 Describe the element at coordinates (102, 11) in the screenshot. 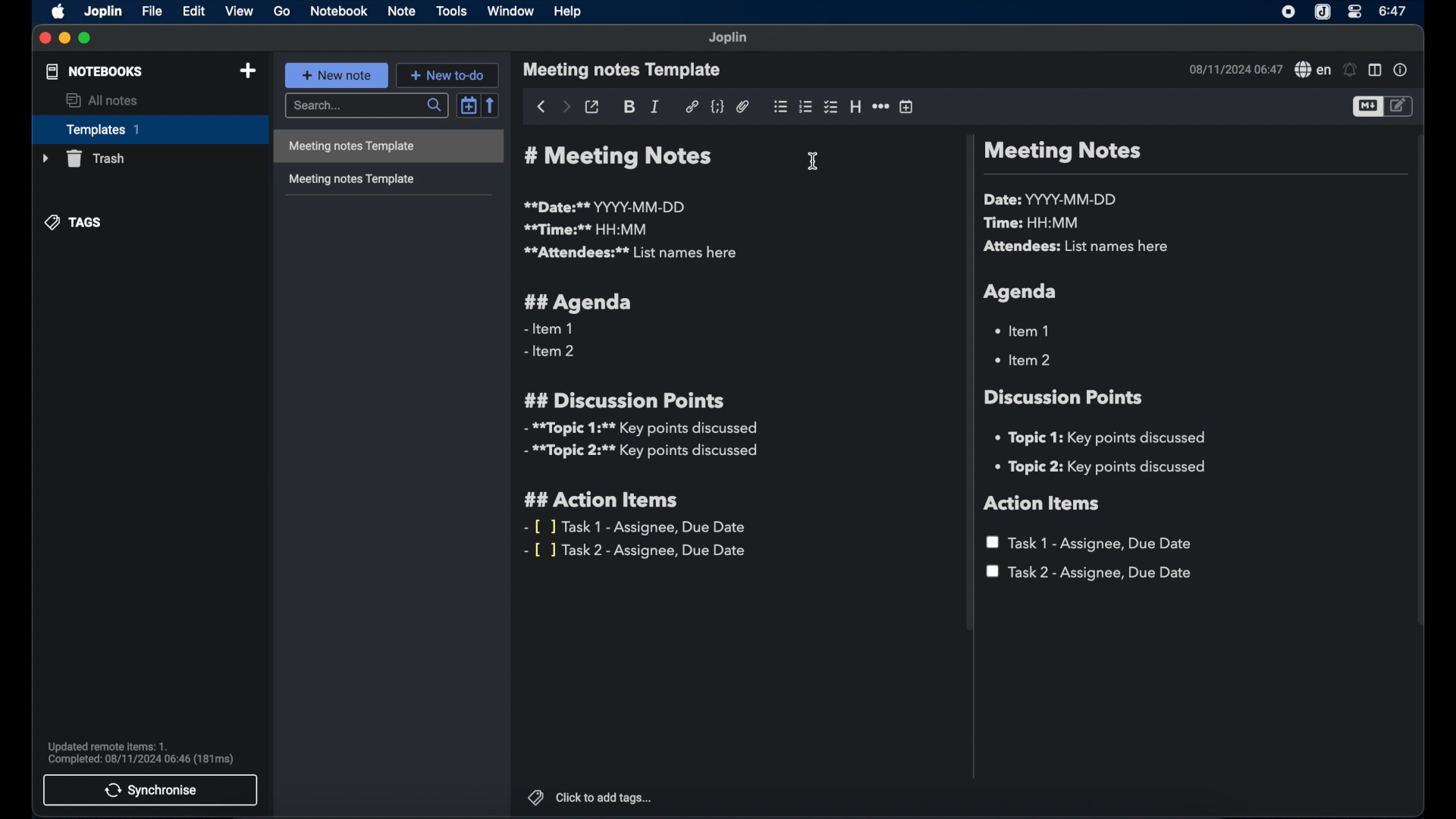

I see `Joplin` at that location.